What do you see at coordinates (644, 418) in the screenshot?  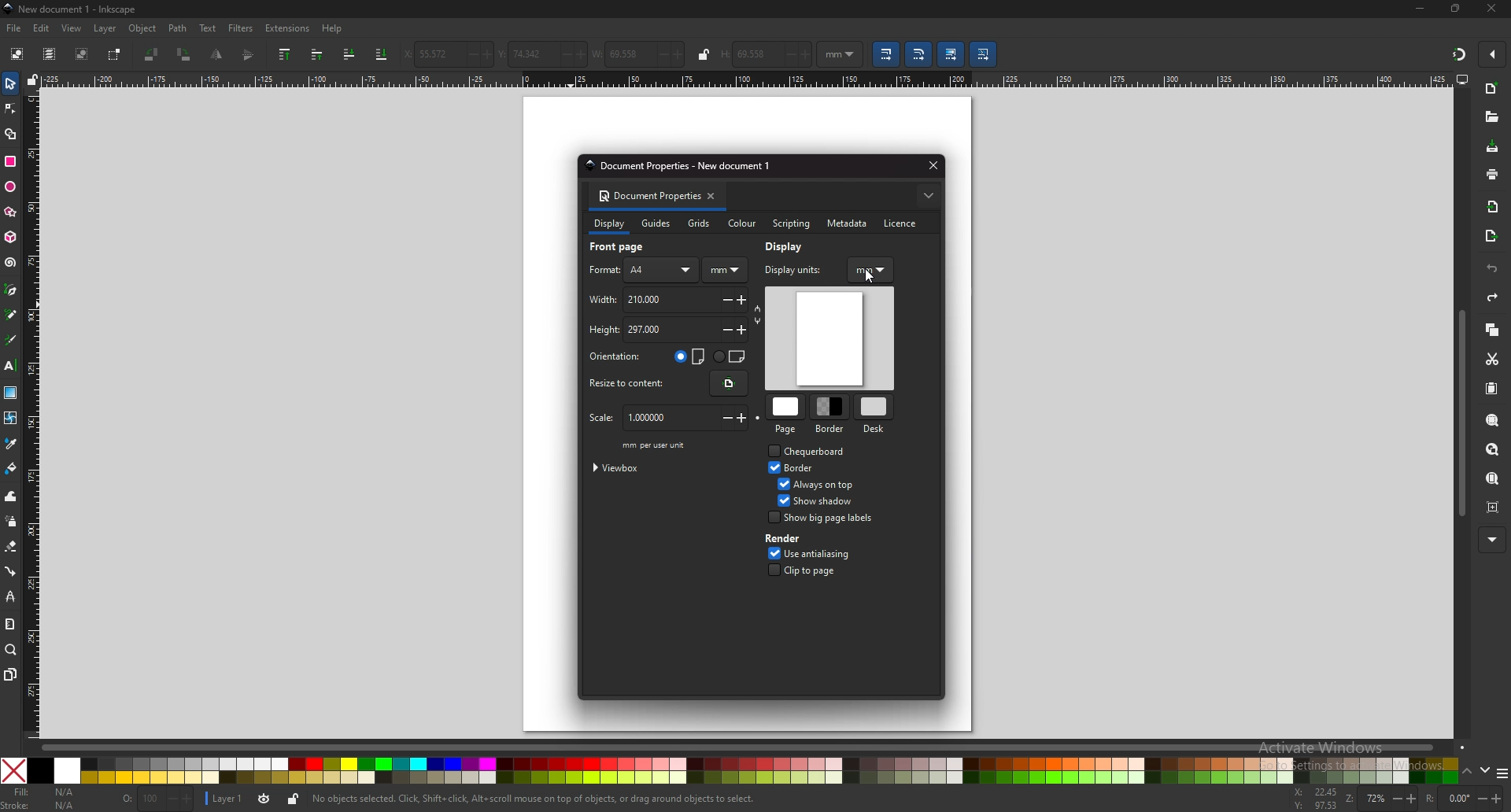 I see `scale` at bounding box center [644, 418].